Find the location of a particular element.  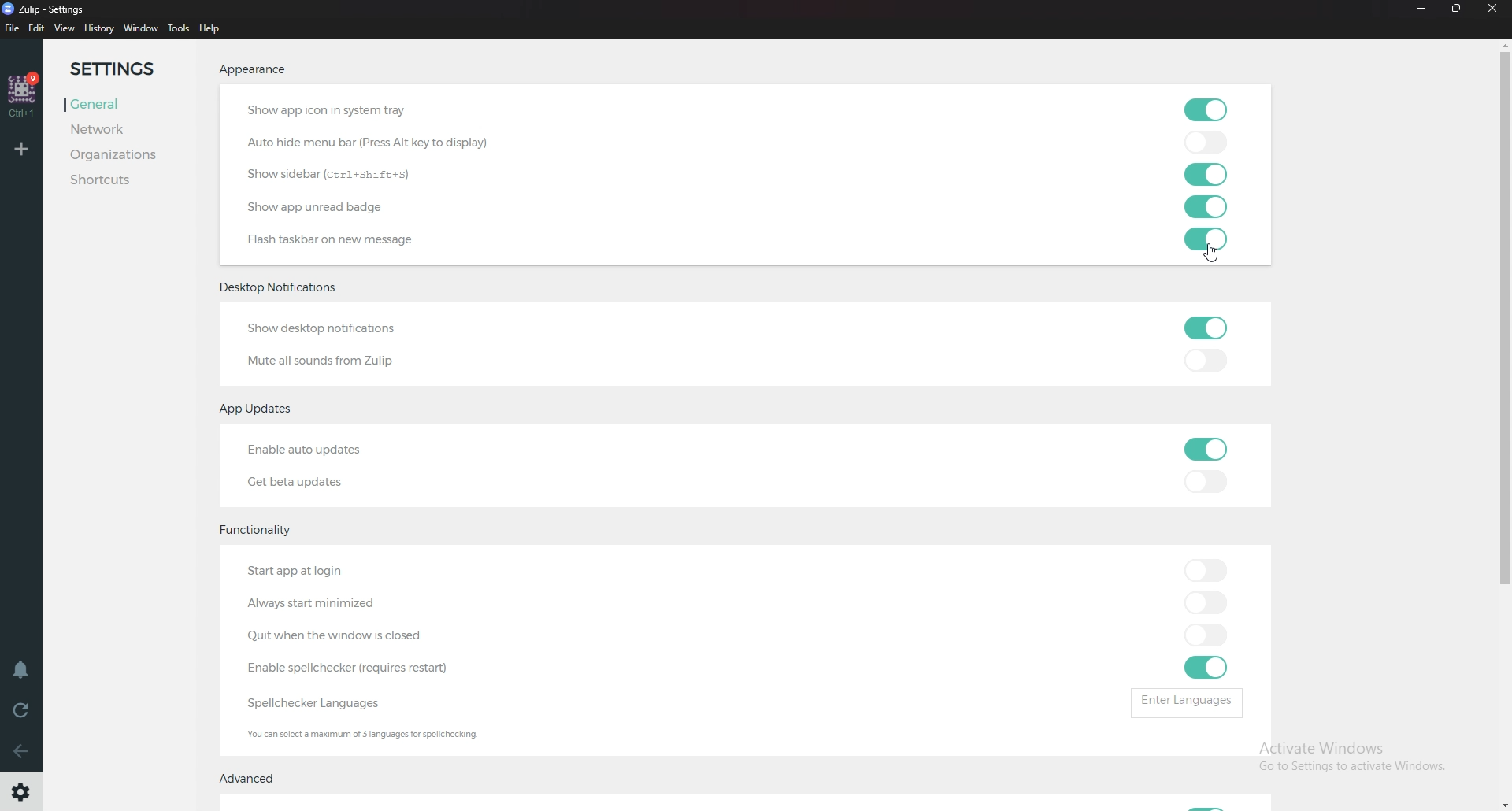

Get beta updates is located at coordinates (310, 480).